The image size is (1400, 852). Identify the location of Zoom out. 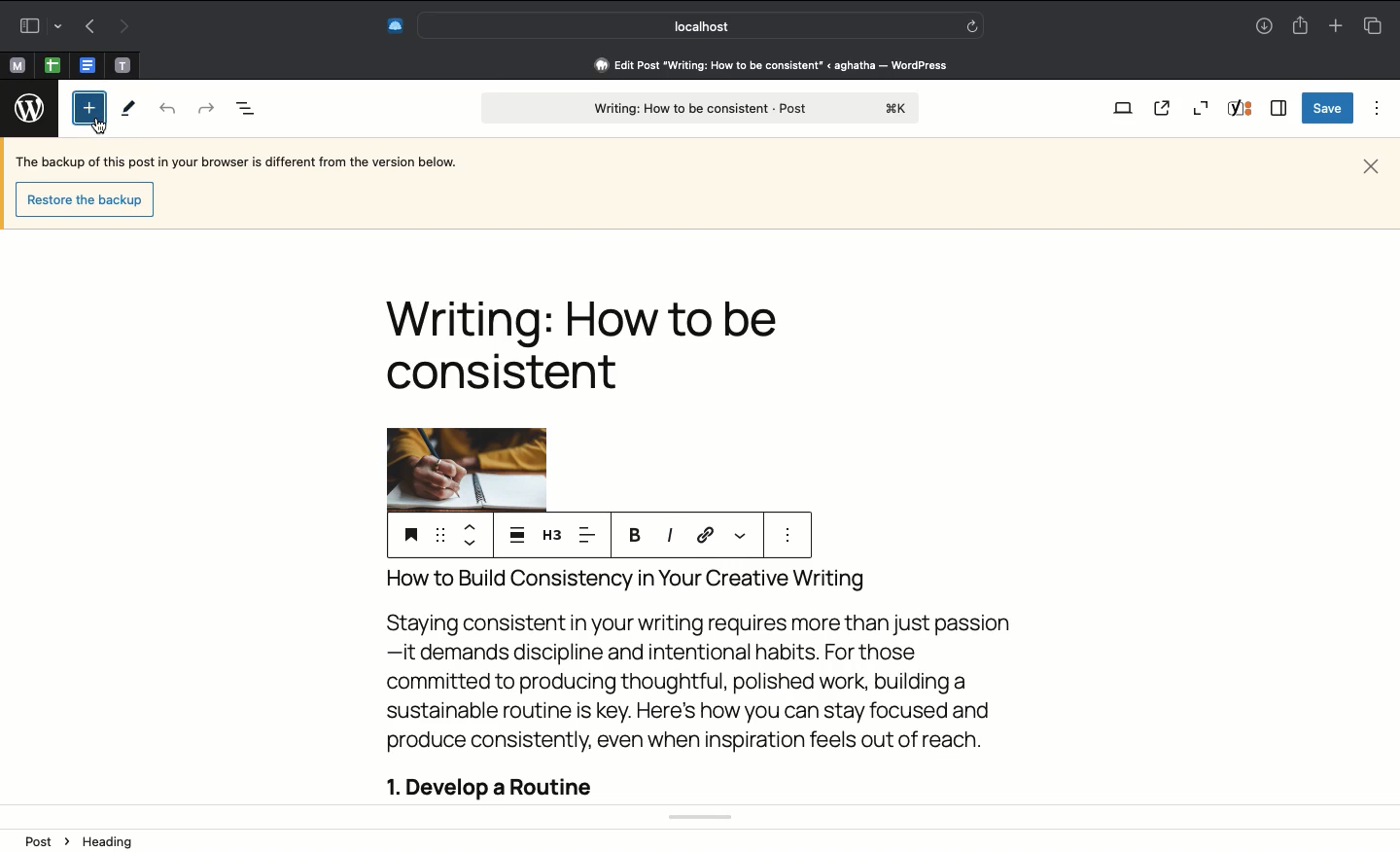
(1204, 106).